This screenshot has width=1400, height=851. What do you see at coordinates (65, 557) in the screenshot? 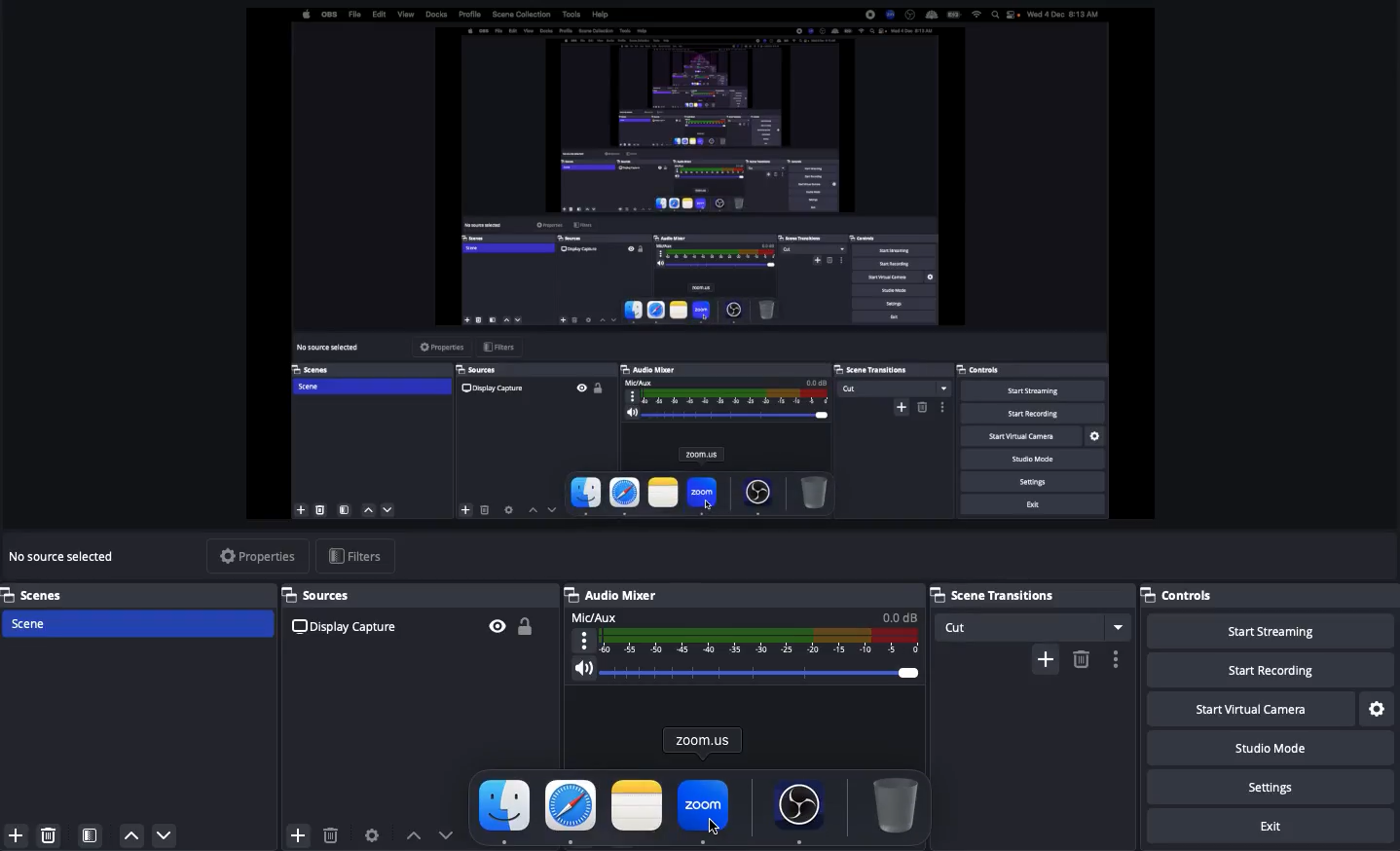
I see `No sources selected` at bounding box center [65, 557].